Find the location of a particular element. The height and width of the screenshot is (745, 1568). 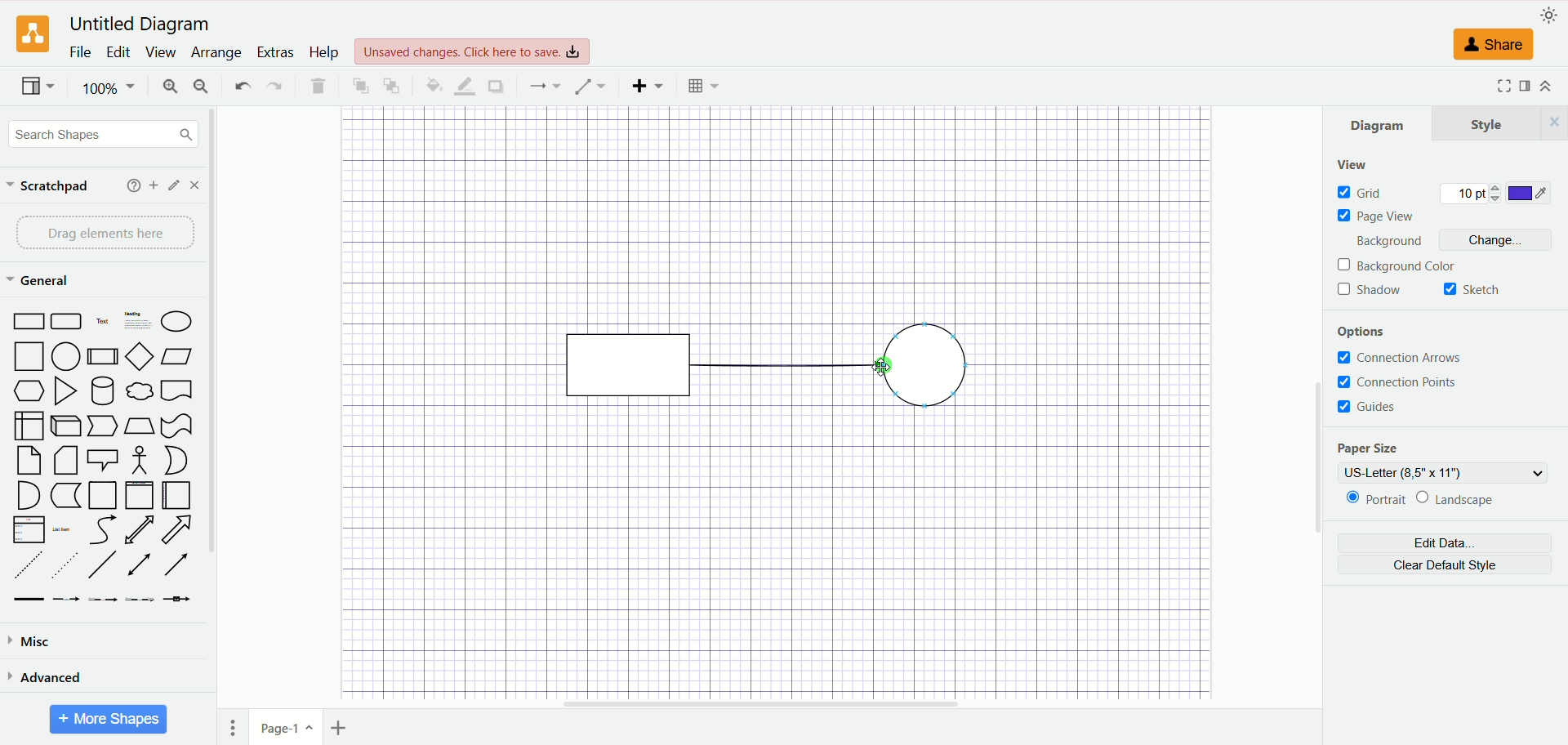

format is located at coordinates (1527, 86).